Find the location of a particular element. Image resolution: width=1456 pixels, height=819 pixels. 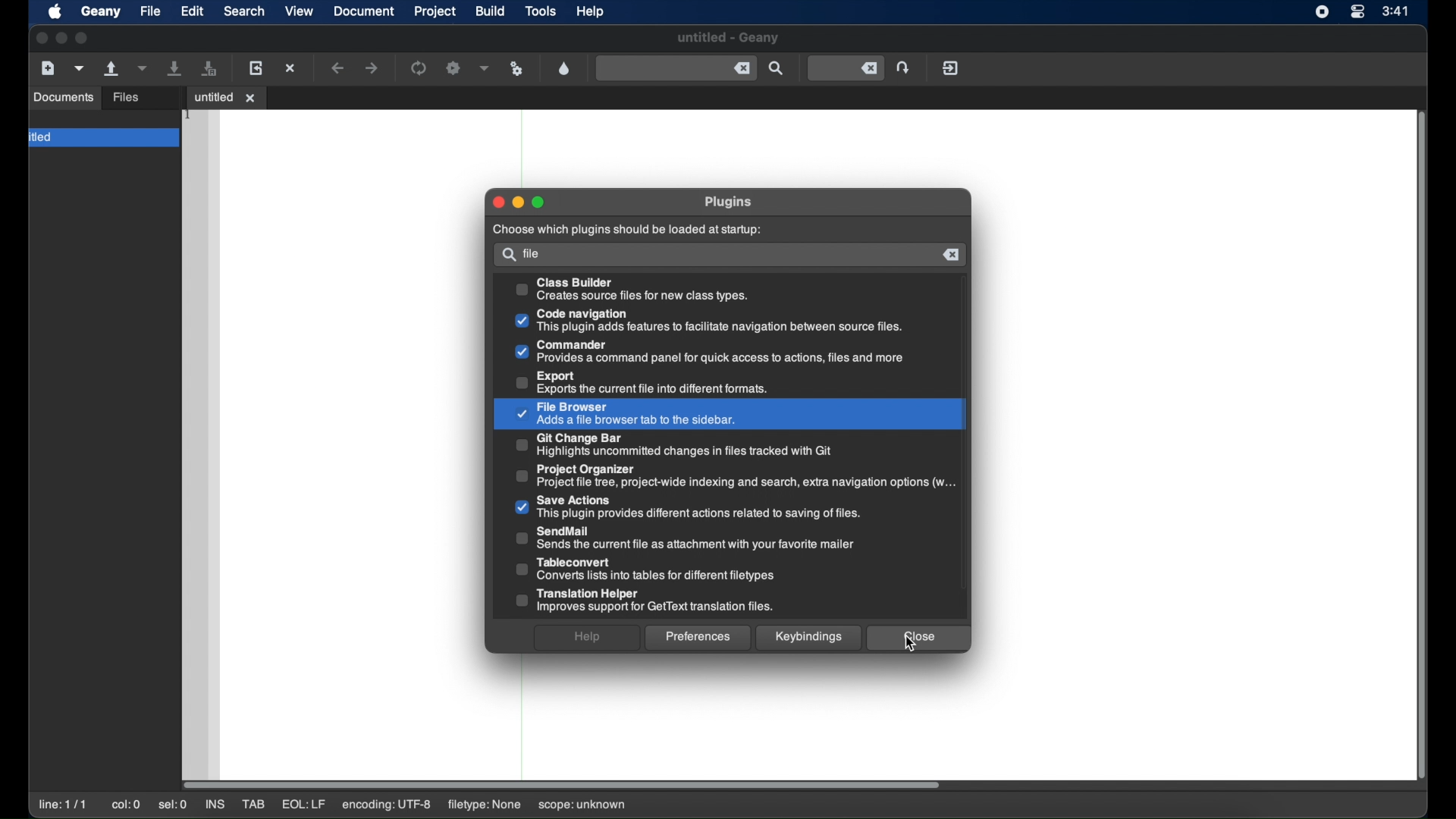

col: 0 is located at coordinates (126, 805).